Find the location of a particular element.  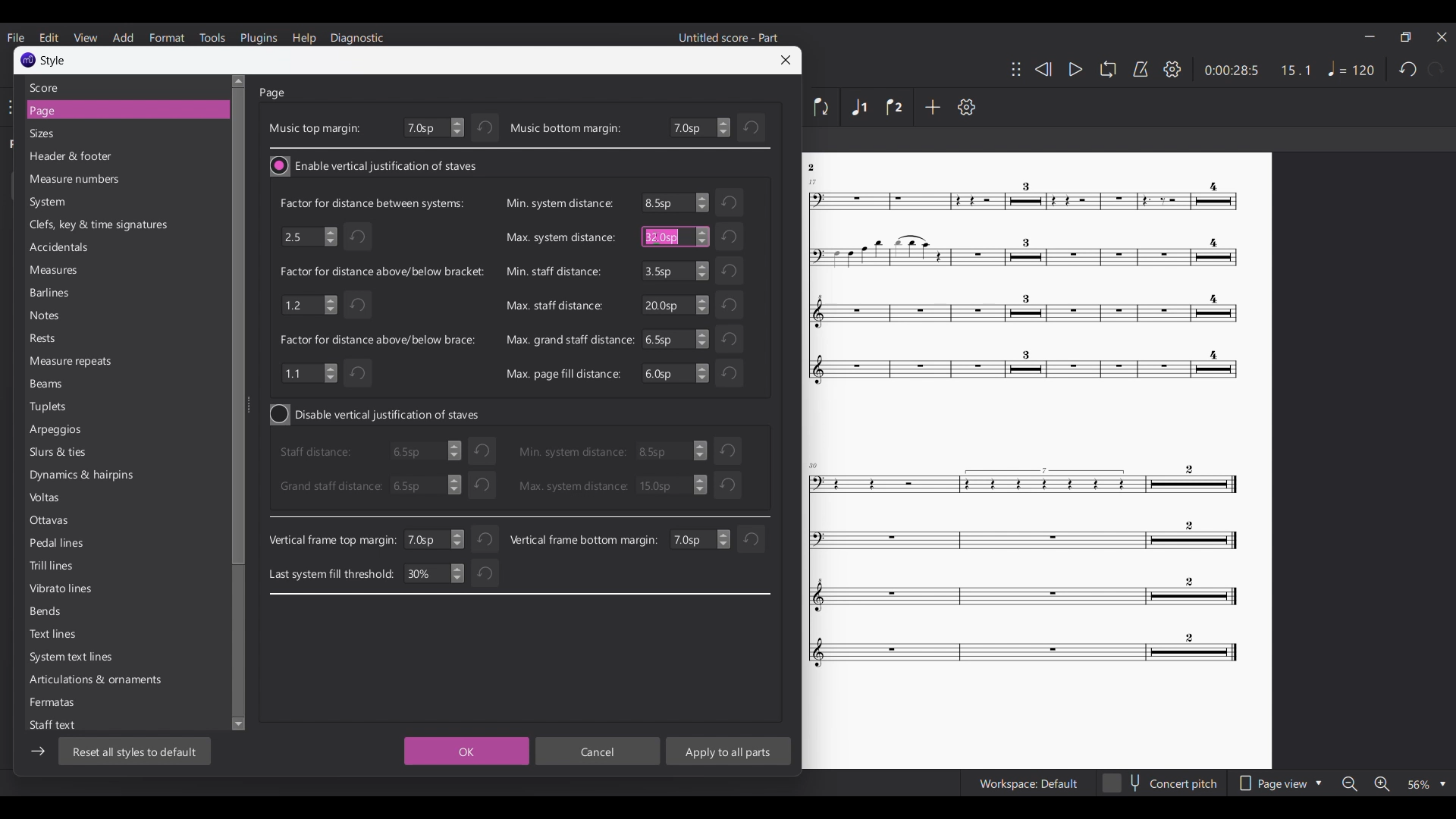

Undo is located at coordinates (728, 372).